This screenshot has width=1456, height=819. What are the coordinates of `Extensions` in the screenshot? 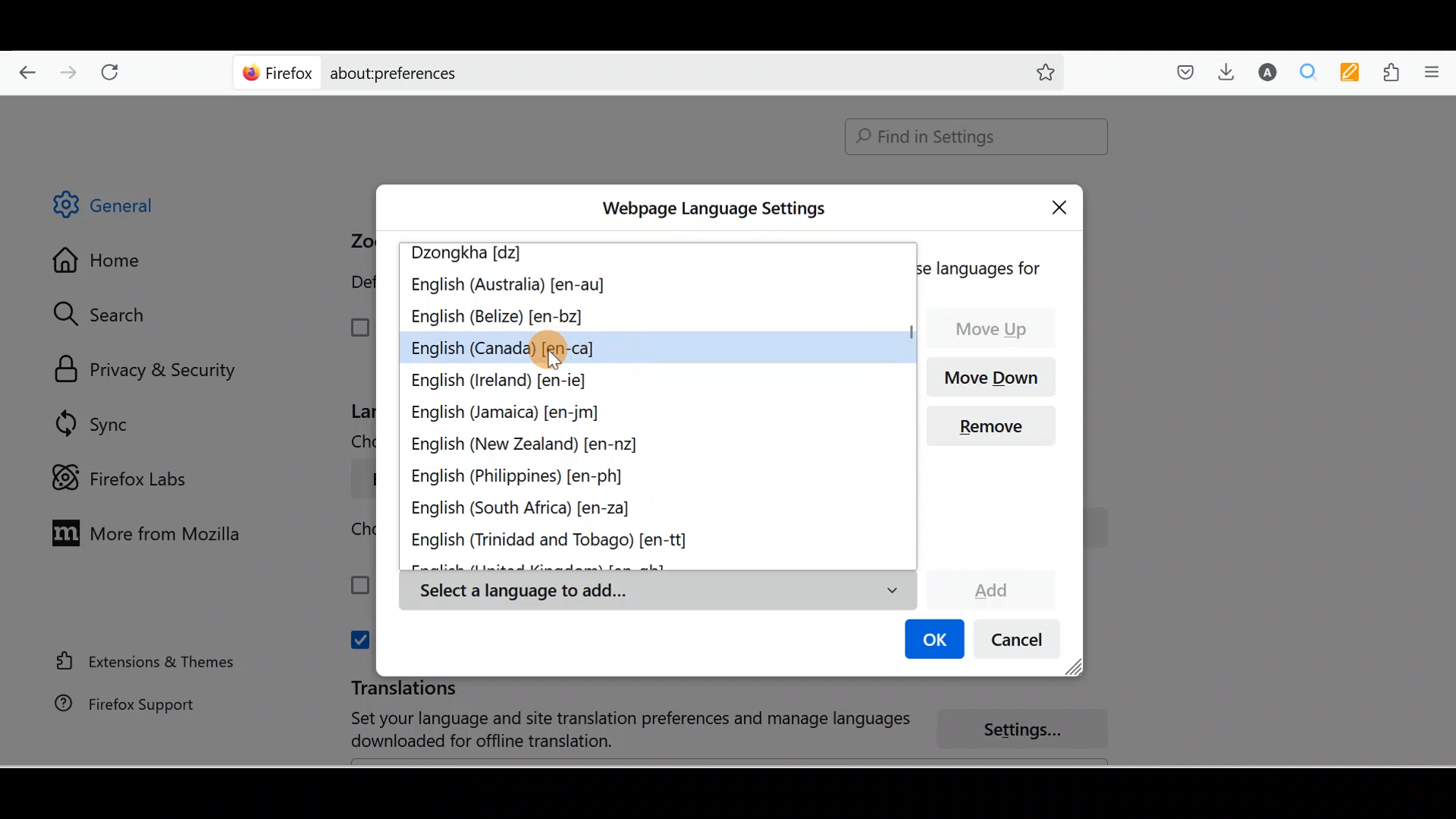 It's located at (1395, 73).